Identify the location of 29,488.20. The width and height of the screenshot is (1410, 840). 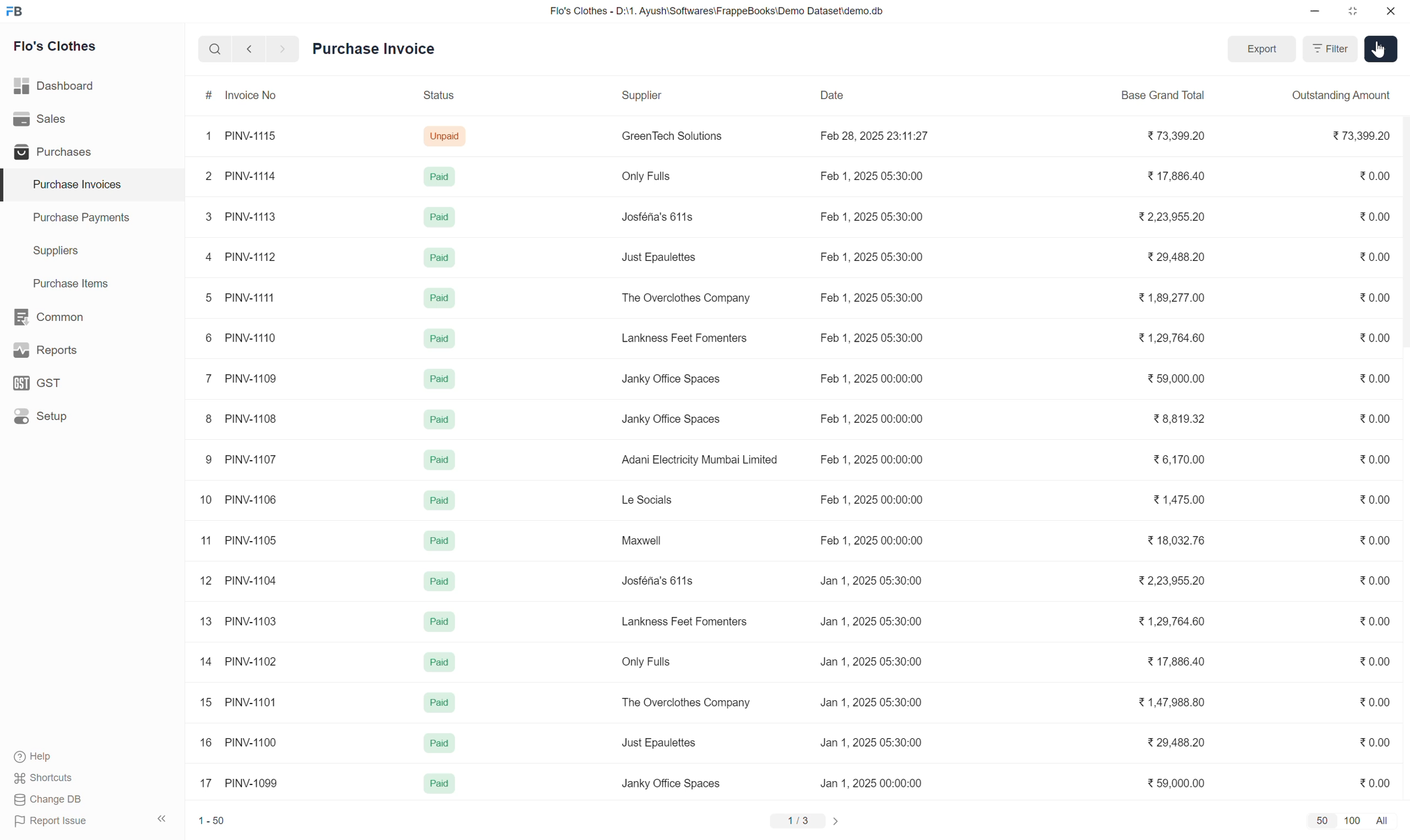
(1169, 256).